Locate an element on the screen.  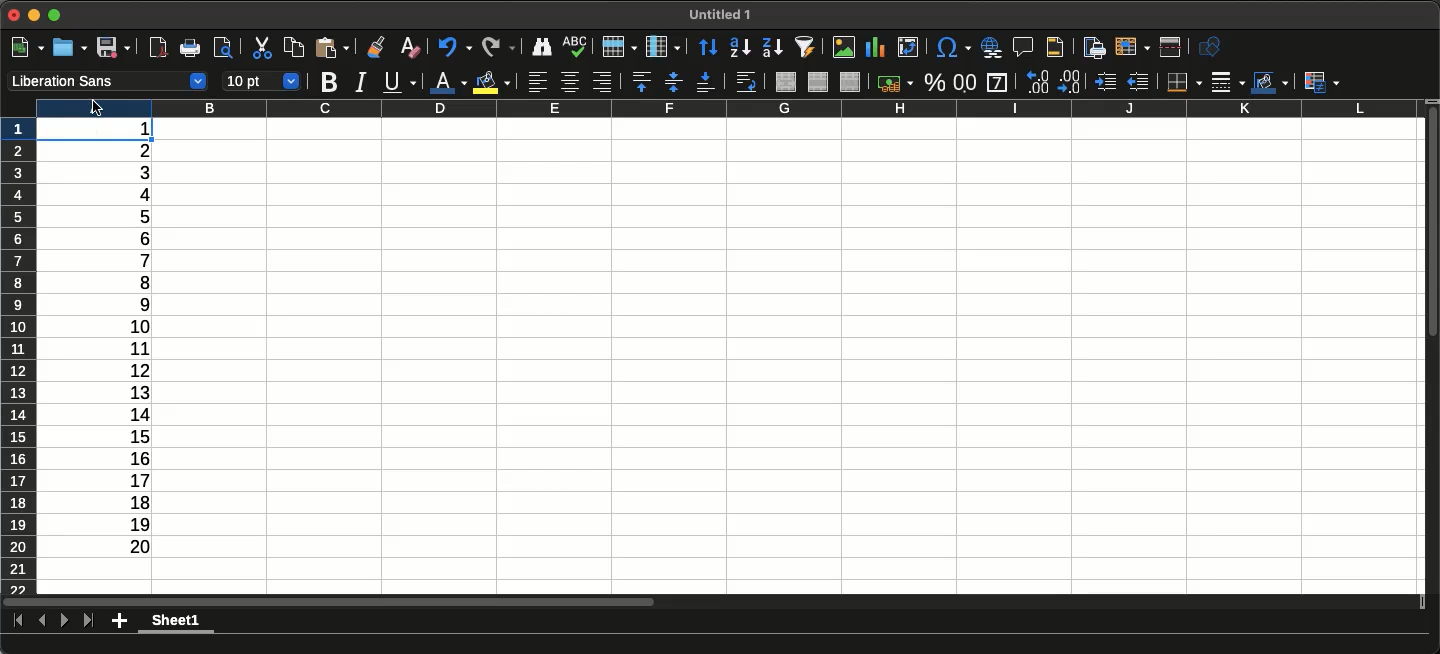
Undo is located at coordinates (455, 46).